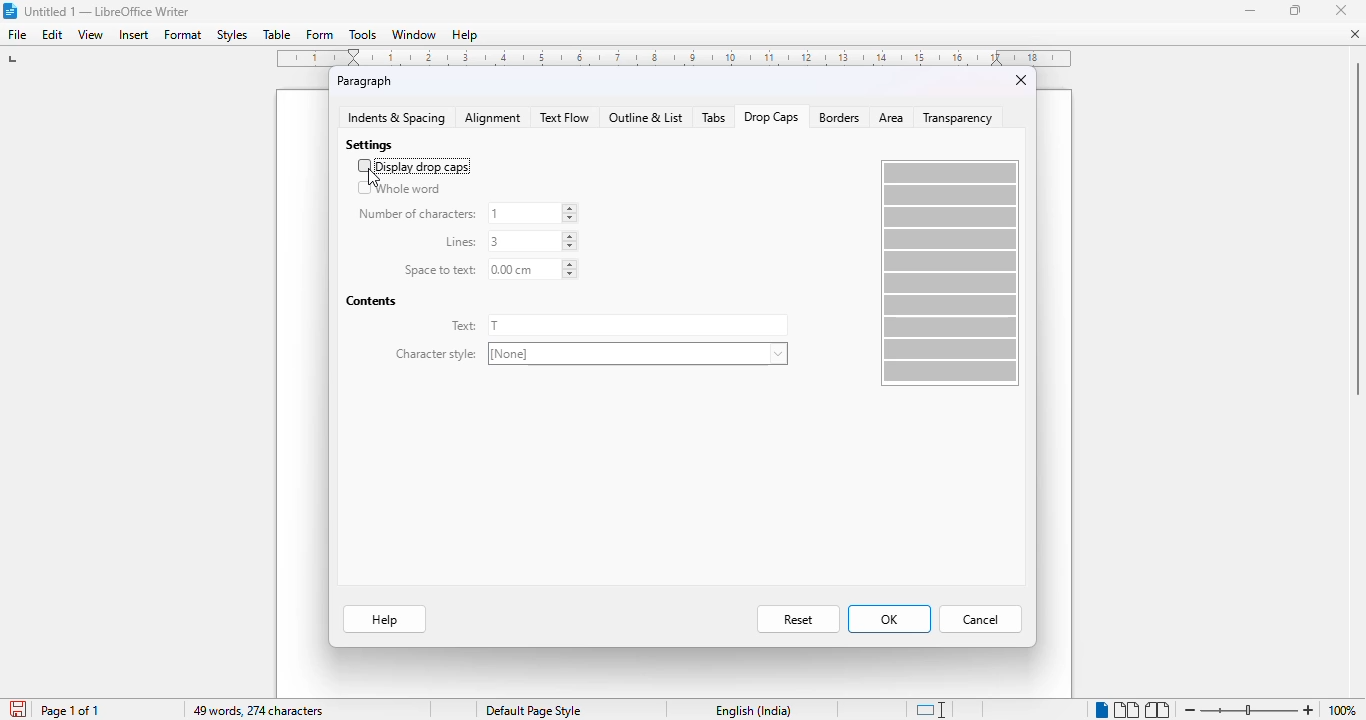 The height and width of the screenshot is (720, 1366). I want to click on help, so click(385, 618).